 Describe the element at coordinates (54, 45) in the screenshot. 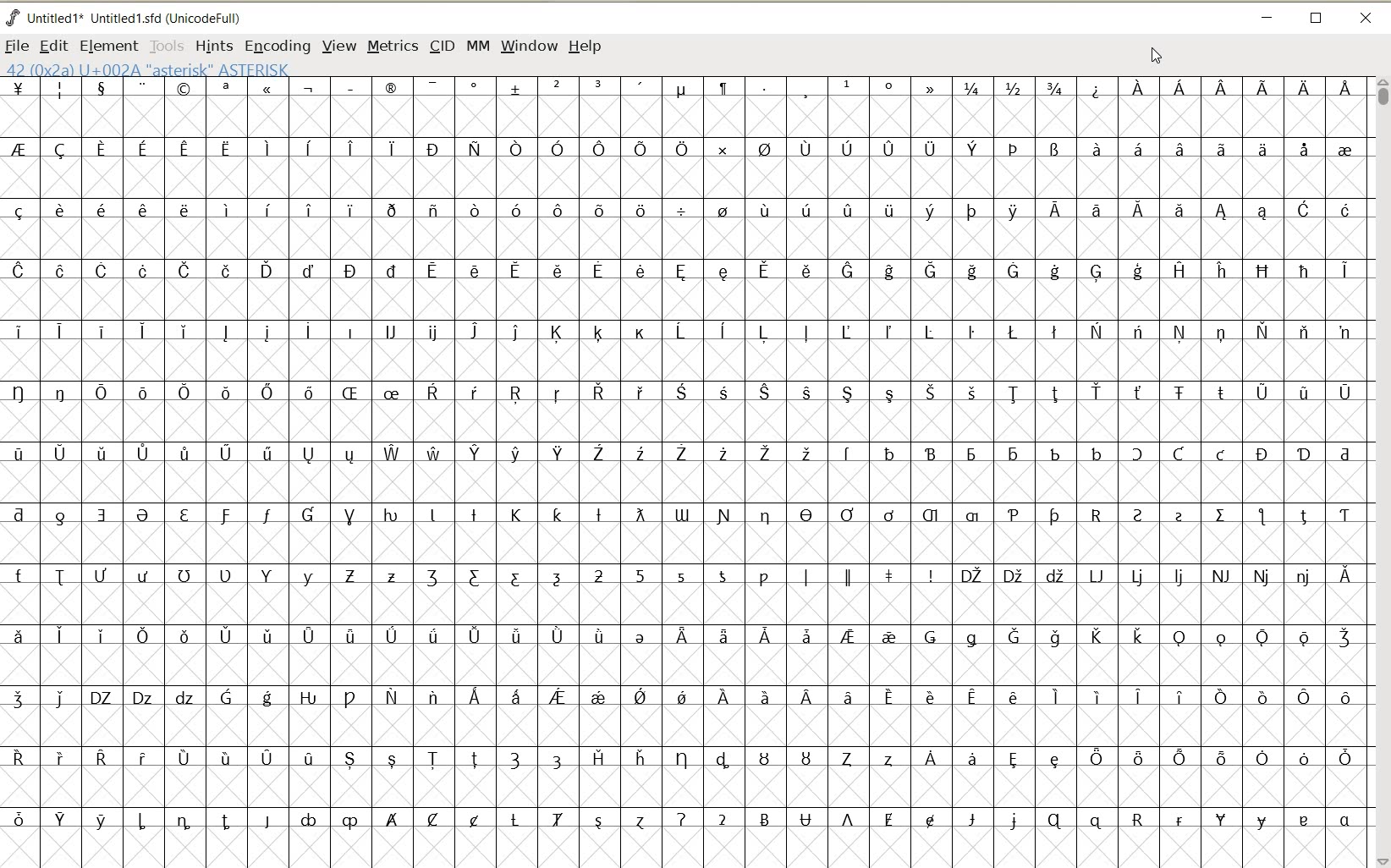

I see `EDIT` at that location.